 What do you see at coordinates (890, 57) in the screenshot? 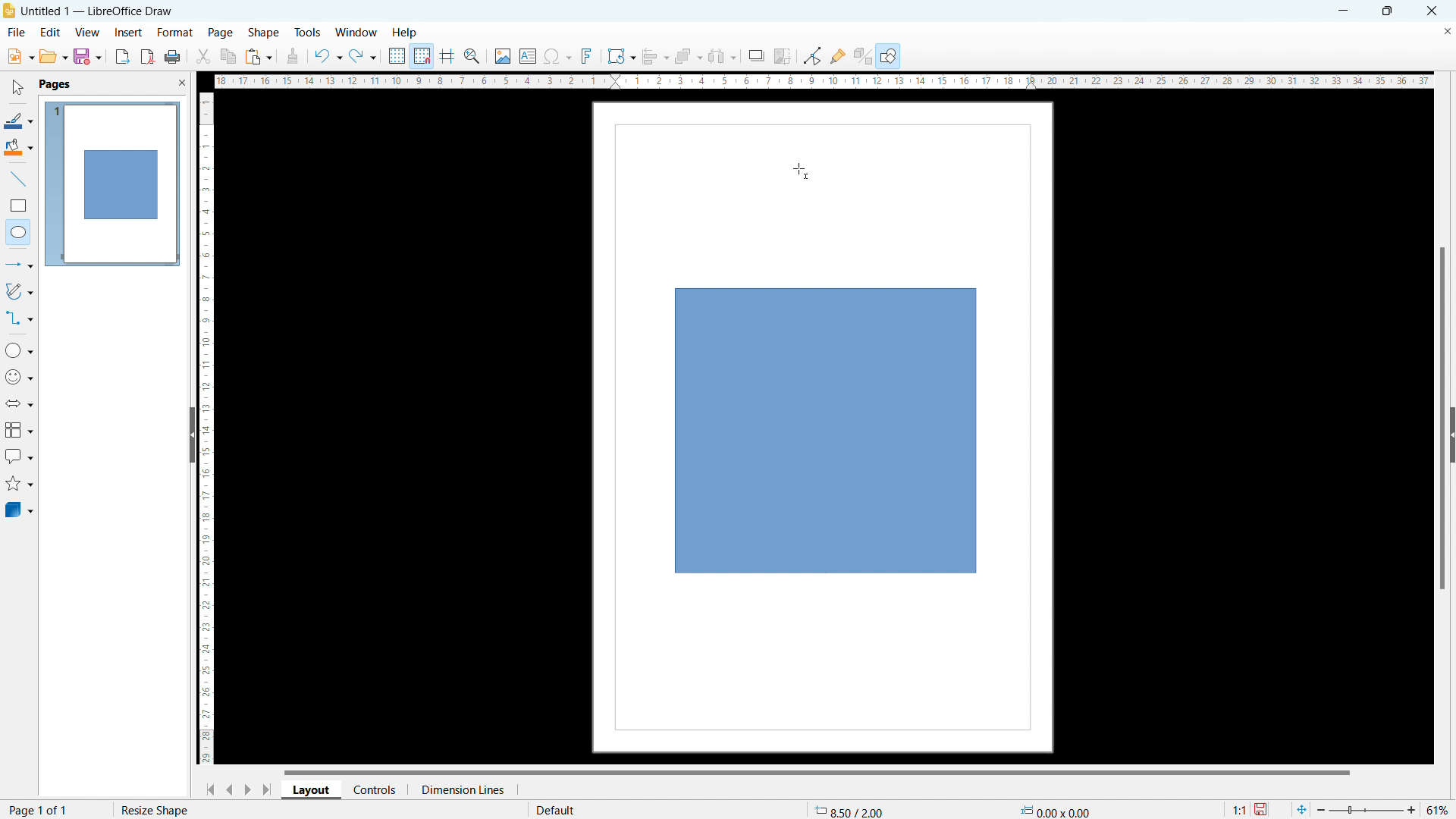
I see `show draw functions` at bounding box center [890, 57].